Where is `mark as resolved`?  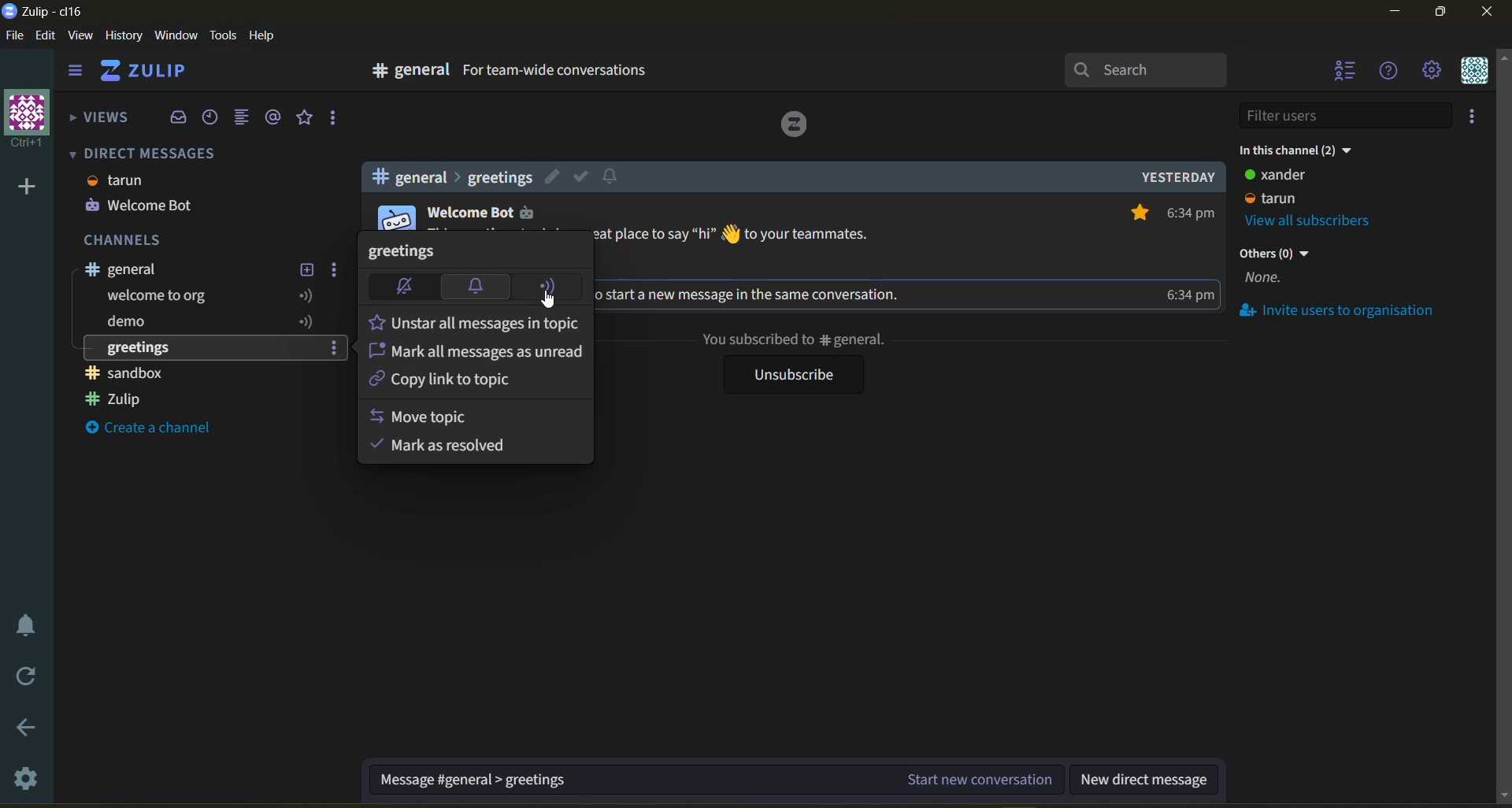 mark as resolved is located at coordinates (449, 449).